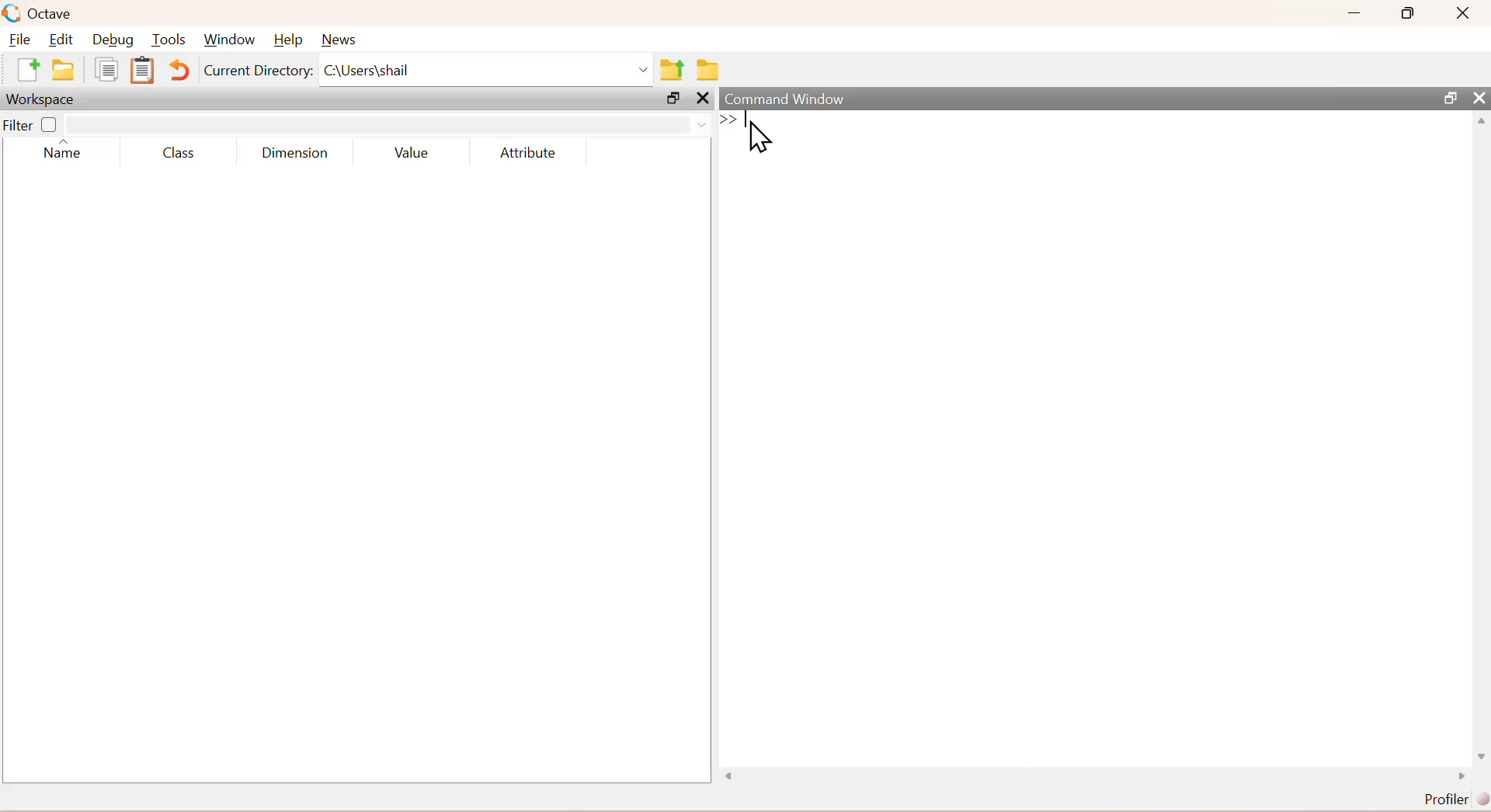  Describe the element at coordinates (257, 75) in the screenshot. I see `Current Directory:` at that location.